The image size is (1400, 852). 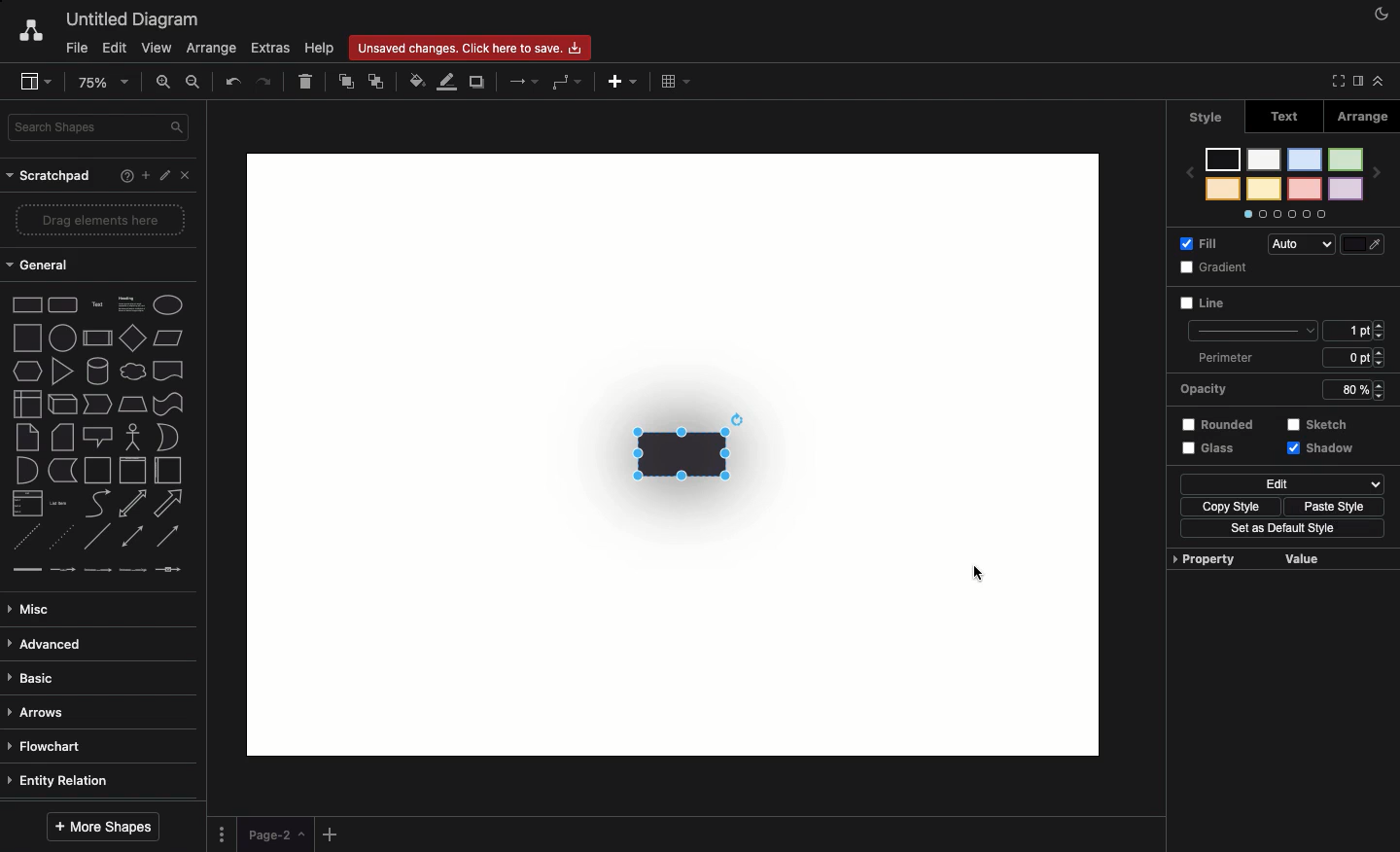 What do you see at coordinates (680, 83) in the screenshot?
I see `Table` at bounding box center [680, 83].